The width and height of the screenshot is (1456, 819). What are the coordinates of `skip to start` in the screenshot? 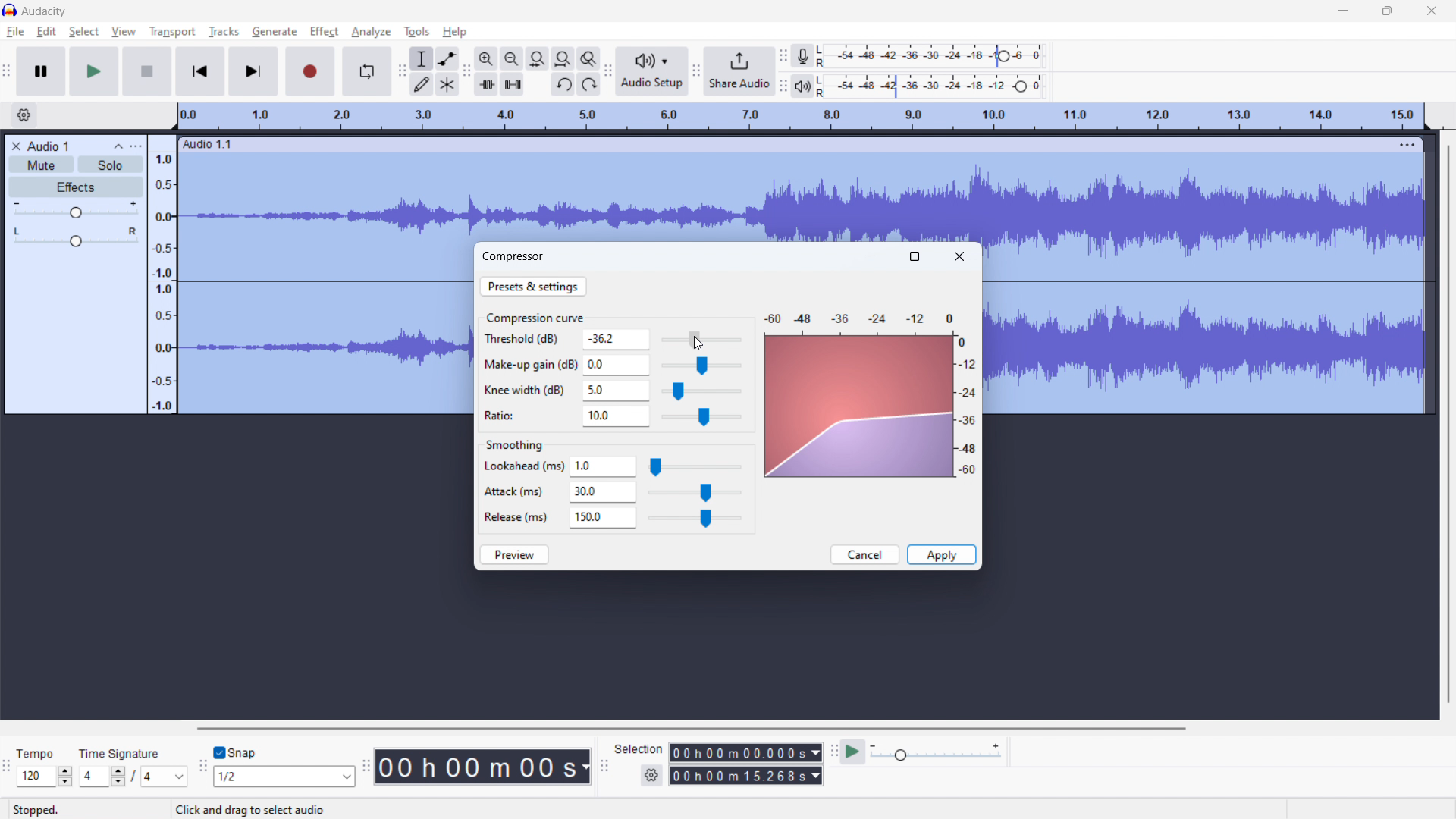 It's located at (200, 71).